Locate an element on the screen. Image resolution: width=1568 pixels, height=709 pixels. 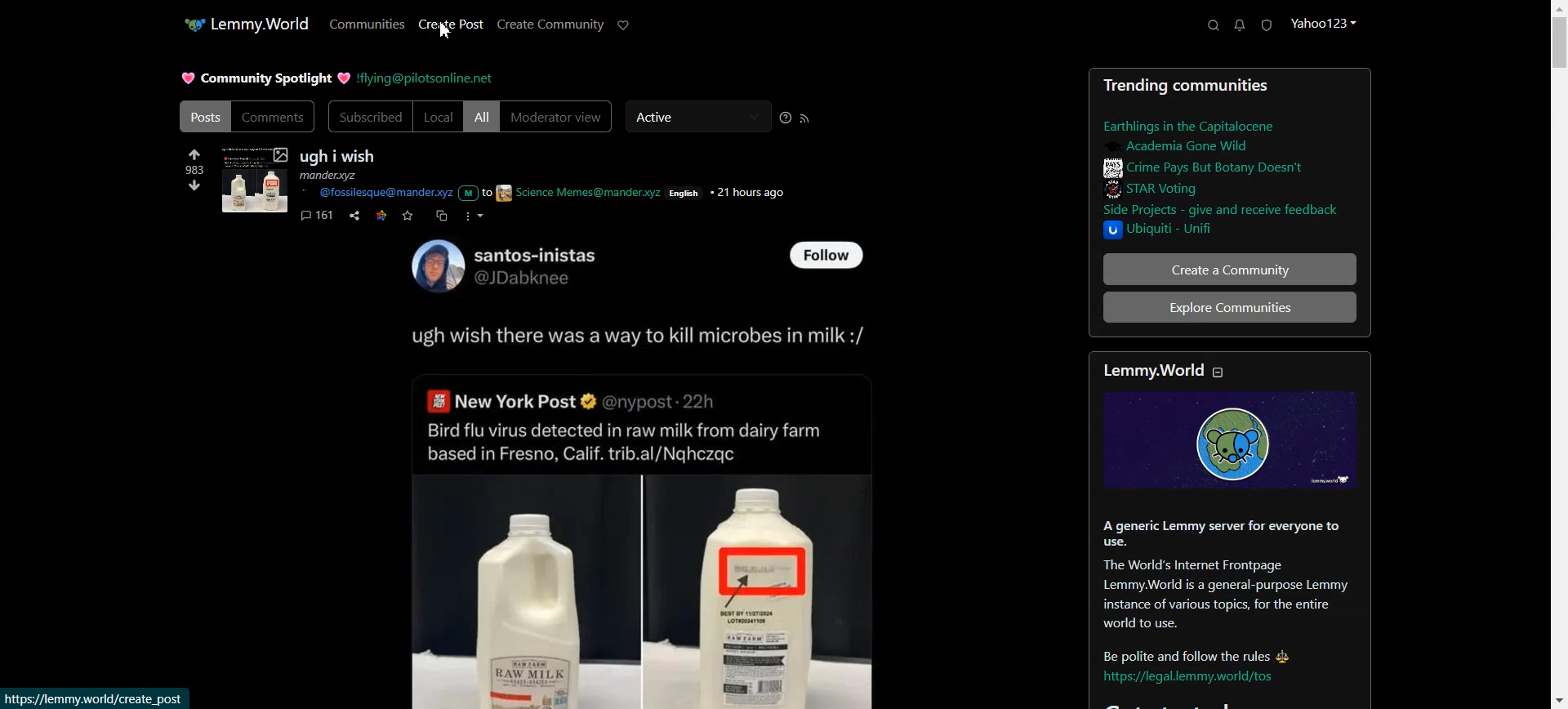
Profile is located at coordinates (1323, 23).